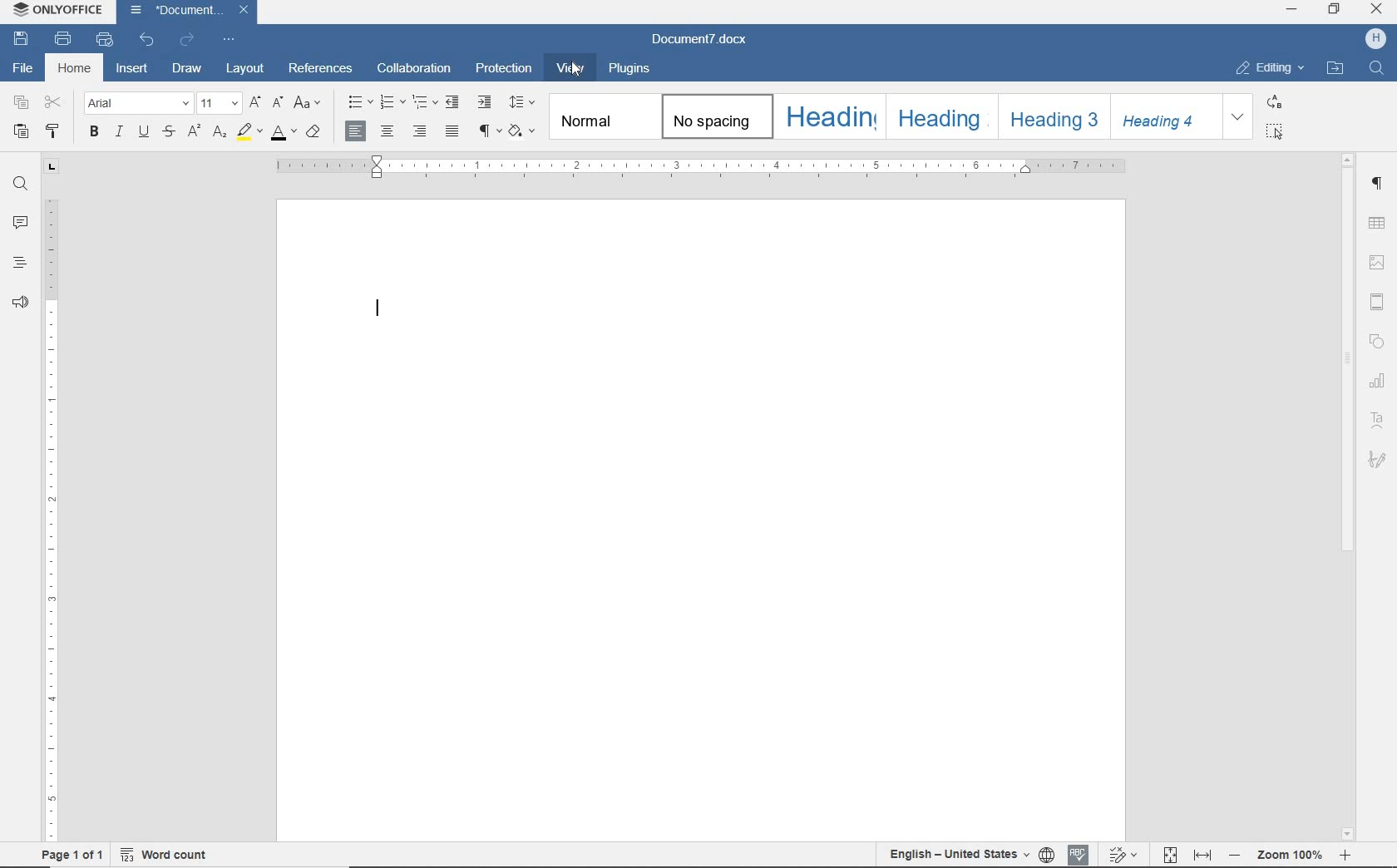 This screenshot has width=1397, height=868. I want to click on SHADING, so click(523, 134).